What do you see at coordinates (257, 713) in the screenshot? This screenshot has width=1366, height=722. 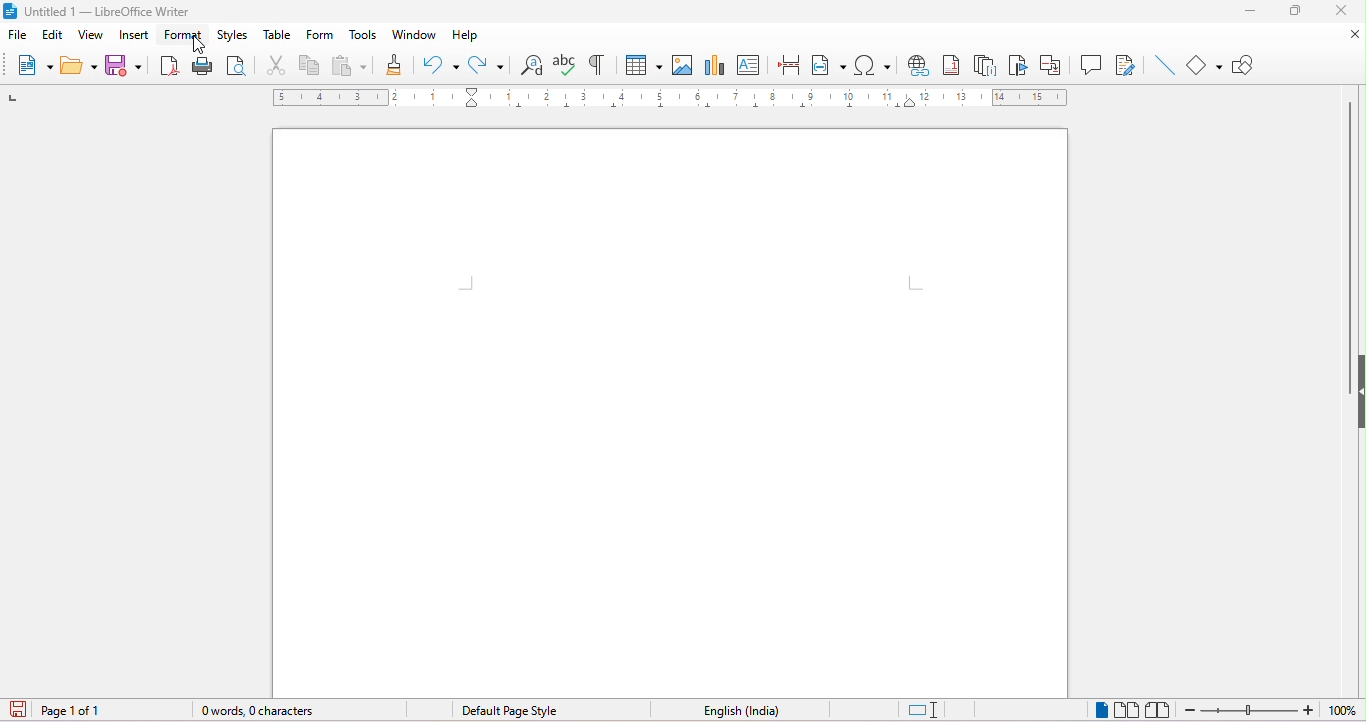 I see `word and character count` at bounding box center [257, 713].